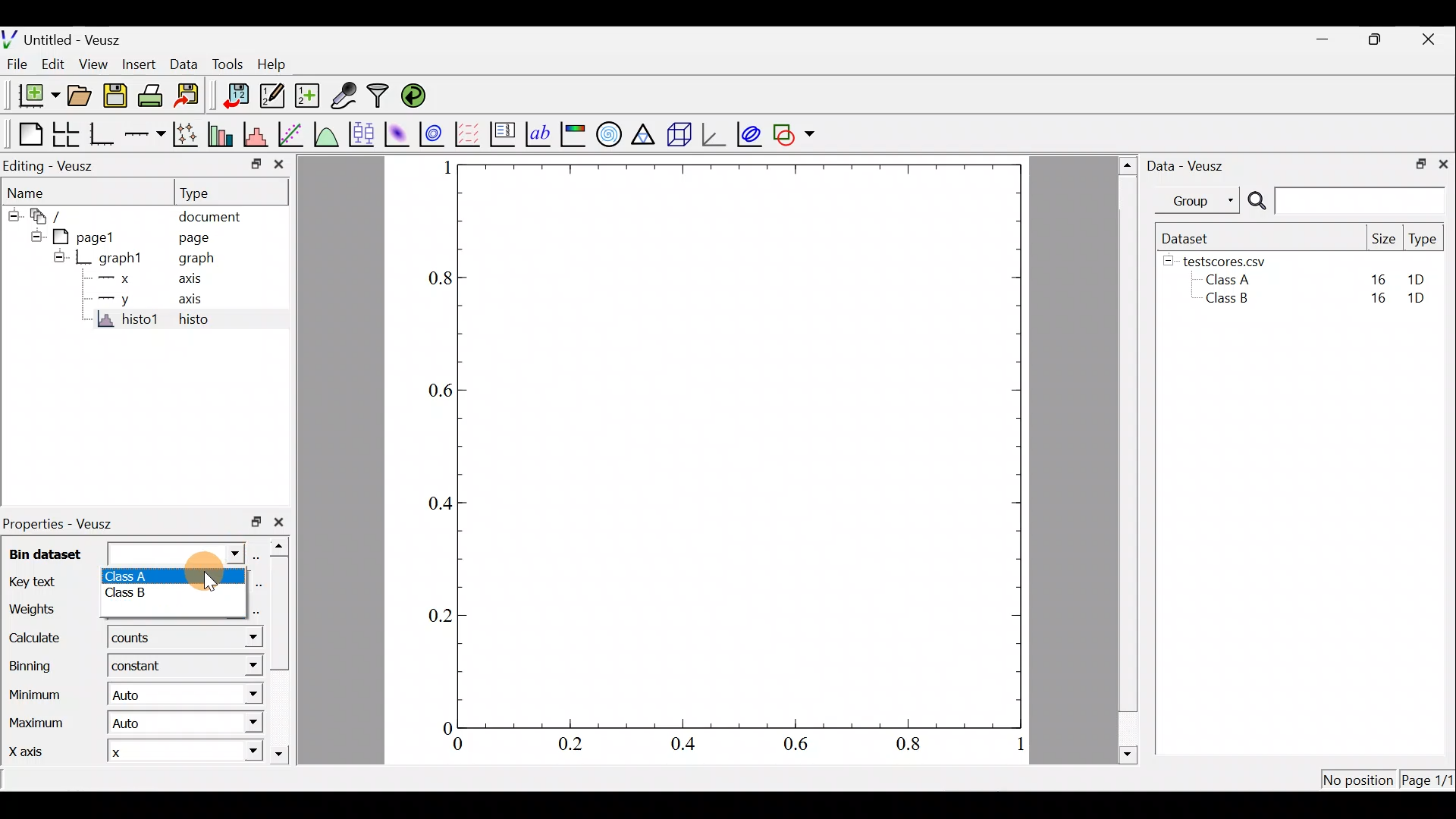  What do you see at coordinates (1189, 237) in the screenshot?
I see `Dataset` at bounding box center [1189, 237].